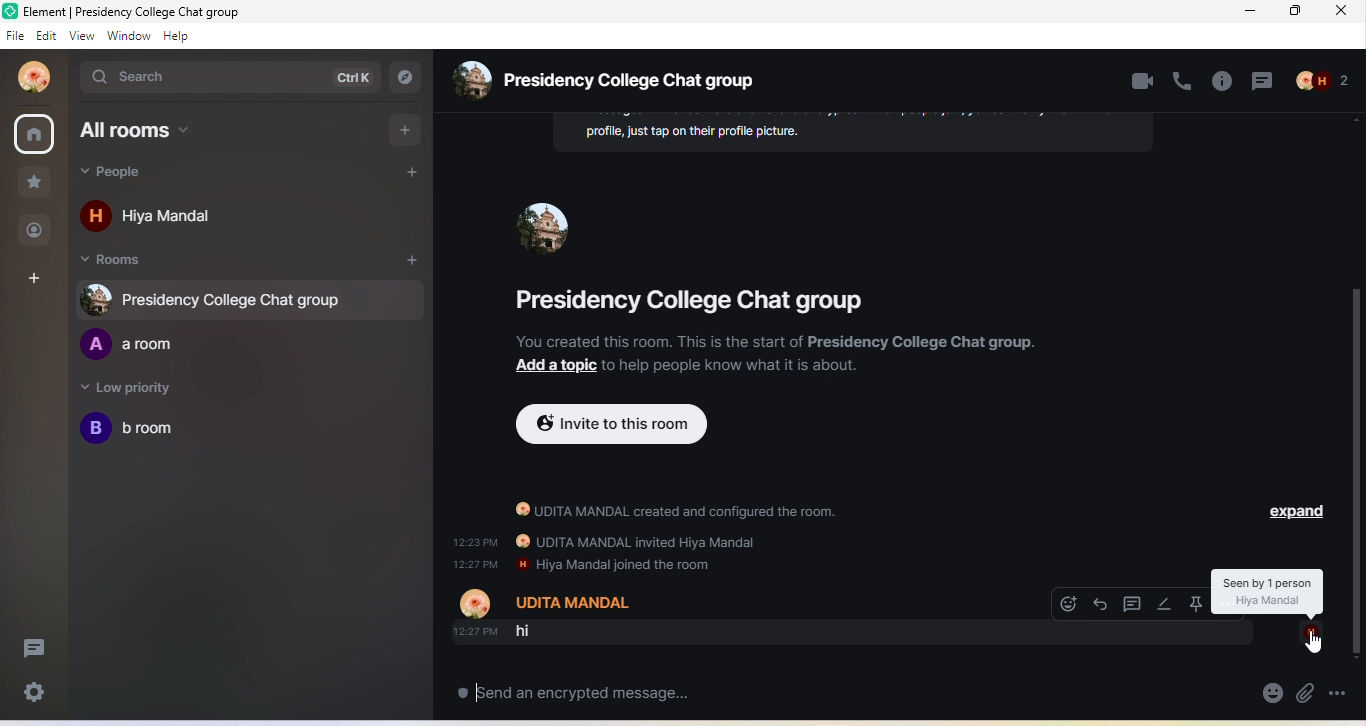 The width and height of the screenshot is (1366, 726). Describe the element at coordinates (1196, 601) in the screenshot. I see `pin` at that location.